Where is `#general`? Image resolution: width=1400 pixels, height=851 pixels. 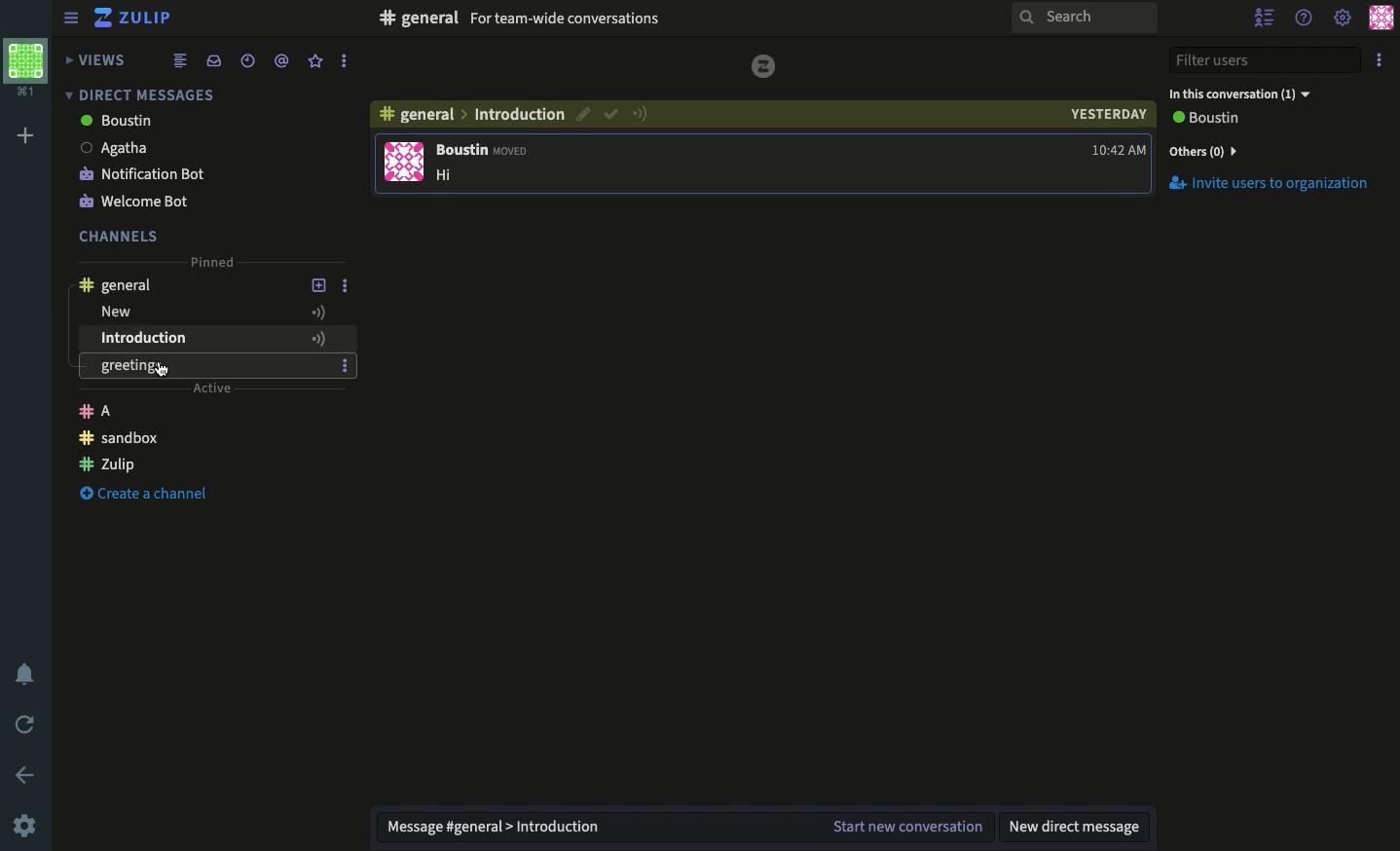 #general is located at coordinates (420, 17).